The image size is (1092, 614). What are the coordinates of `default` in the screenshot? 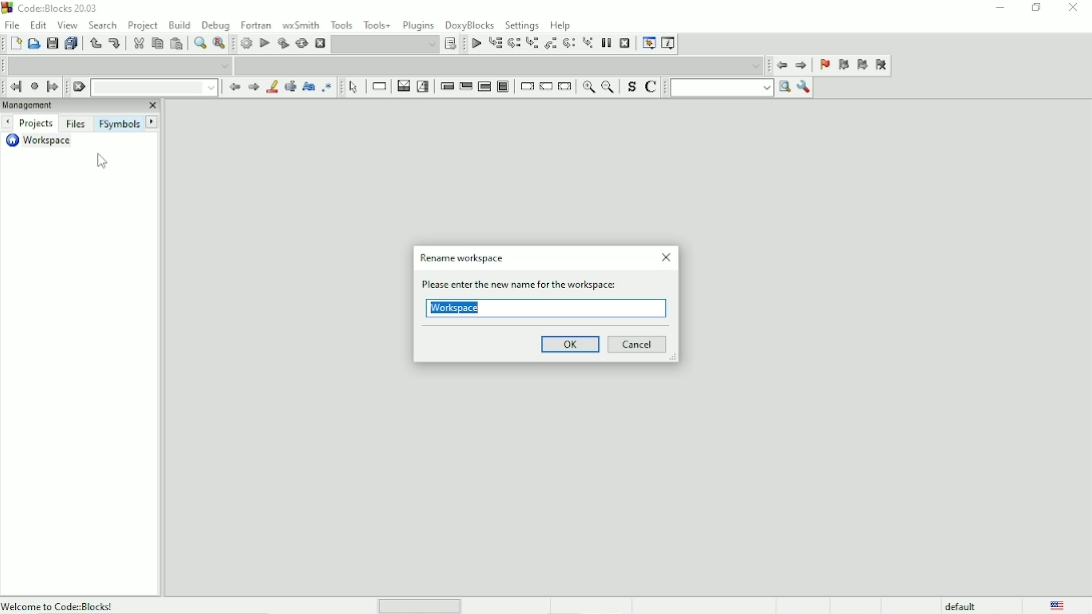 It's located at (962, 605).